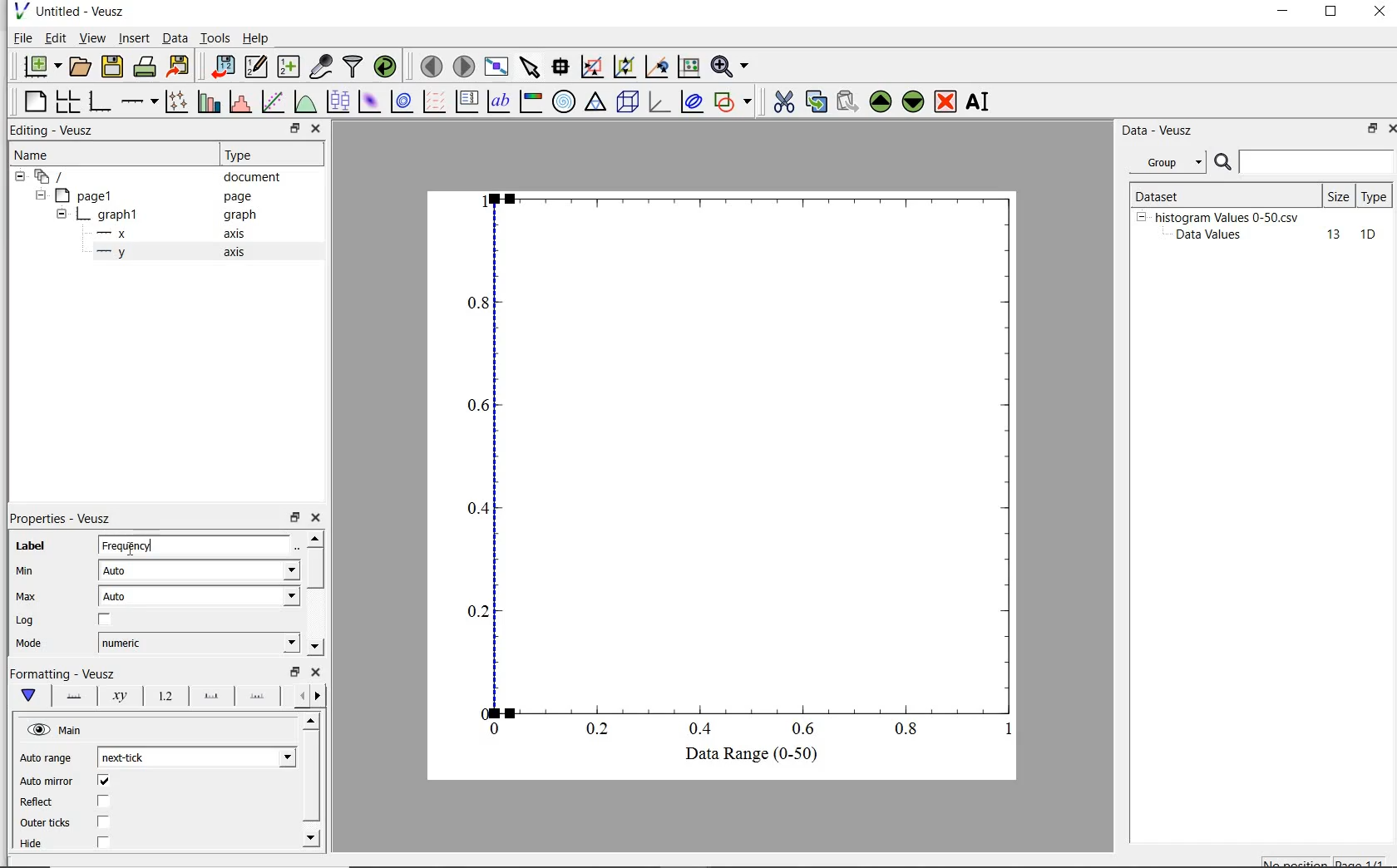 This screenshot has width=1397, height=868. Describe the element at coordinates (199, 570) in the screenshot. I see `Auto` at that location.